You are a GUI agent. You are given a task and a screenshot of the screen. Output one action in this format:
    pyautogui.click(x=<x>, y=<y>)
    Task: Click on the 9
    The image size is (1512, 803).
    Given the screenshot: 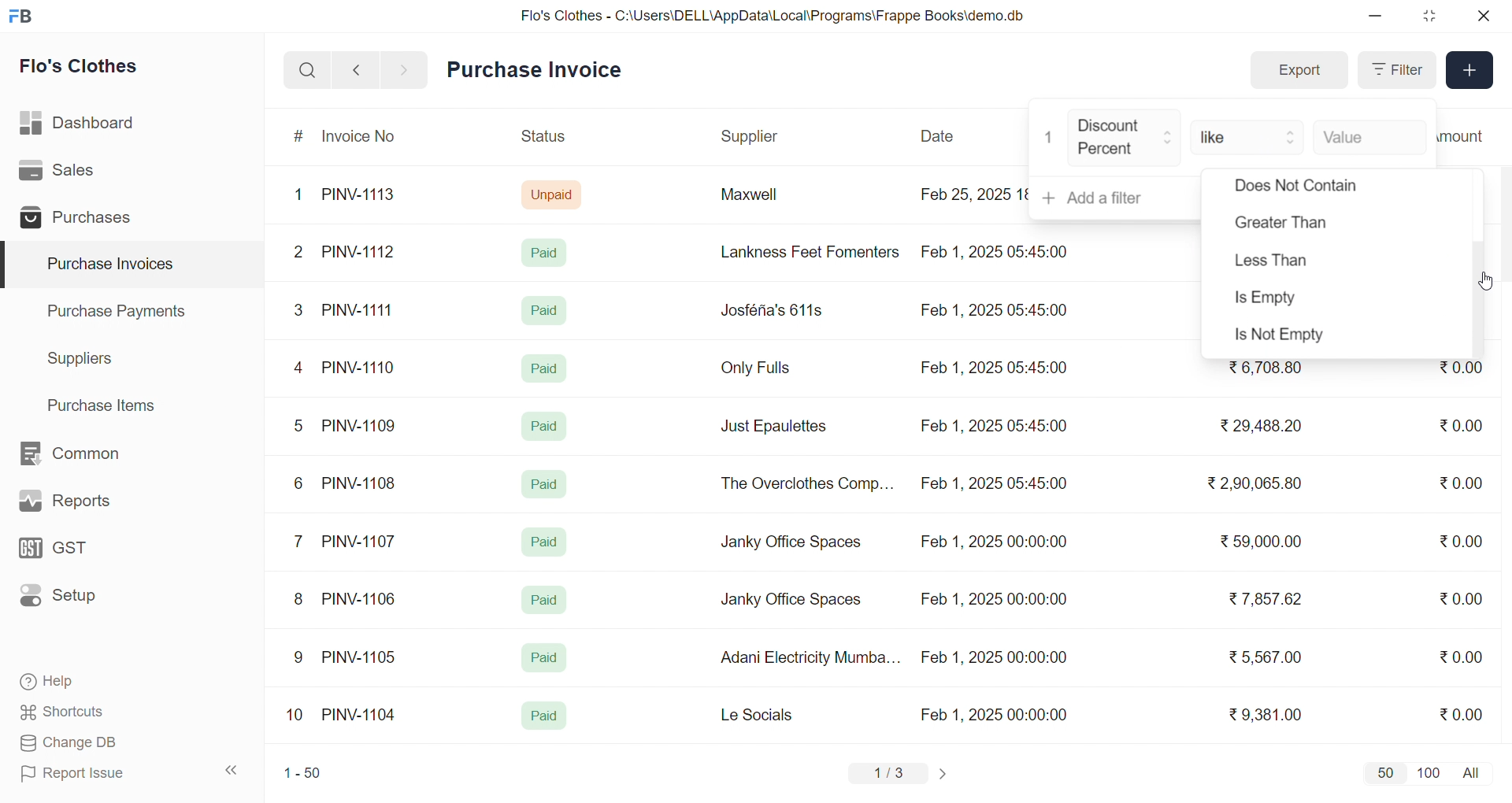 What is the action you would take?
    pyautogui.click(x=299, y=657)
    